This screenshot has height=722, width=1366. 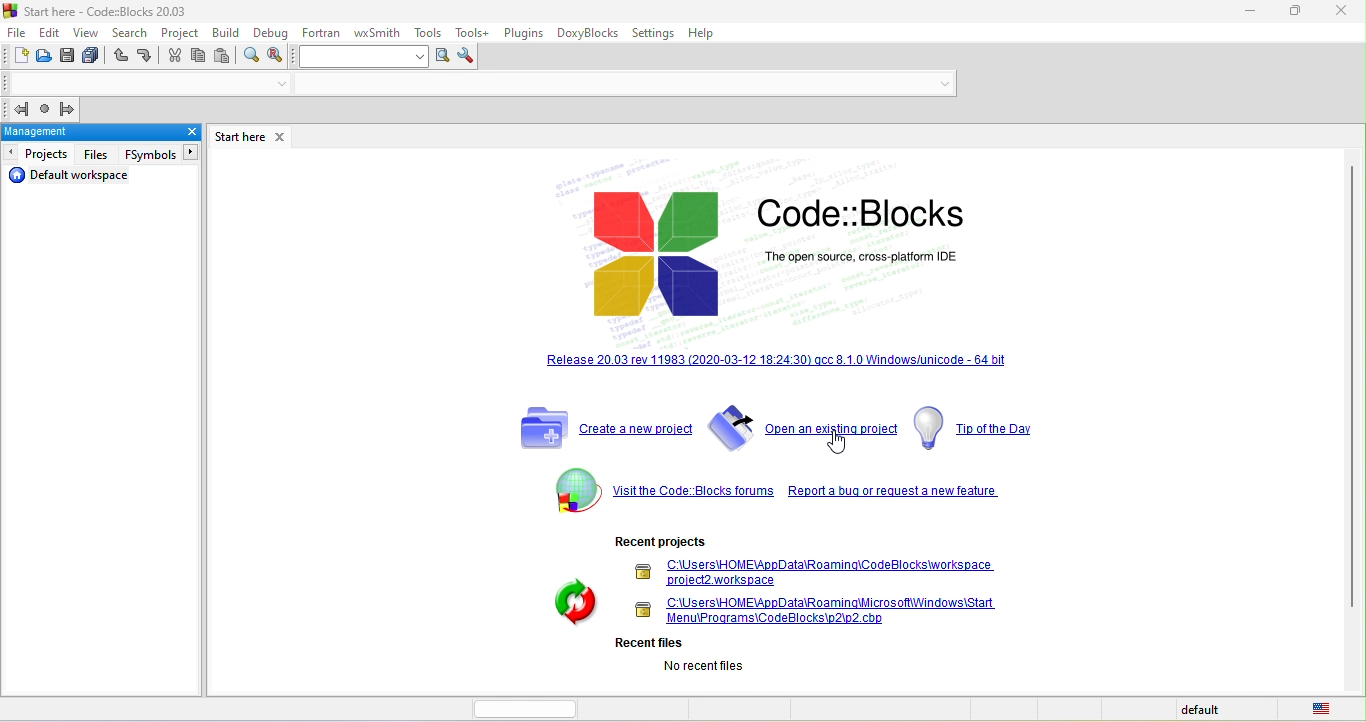 What do you see at coordinates (693, 492) in the screenshot?
I see `visit the code:blocks forum ` at bounding box center [693, 492].